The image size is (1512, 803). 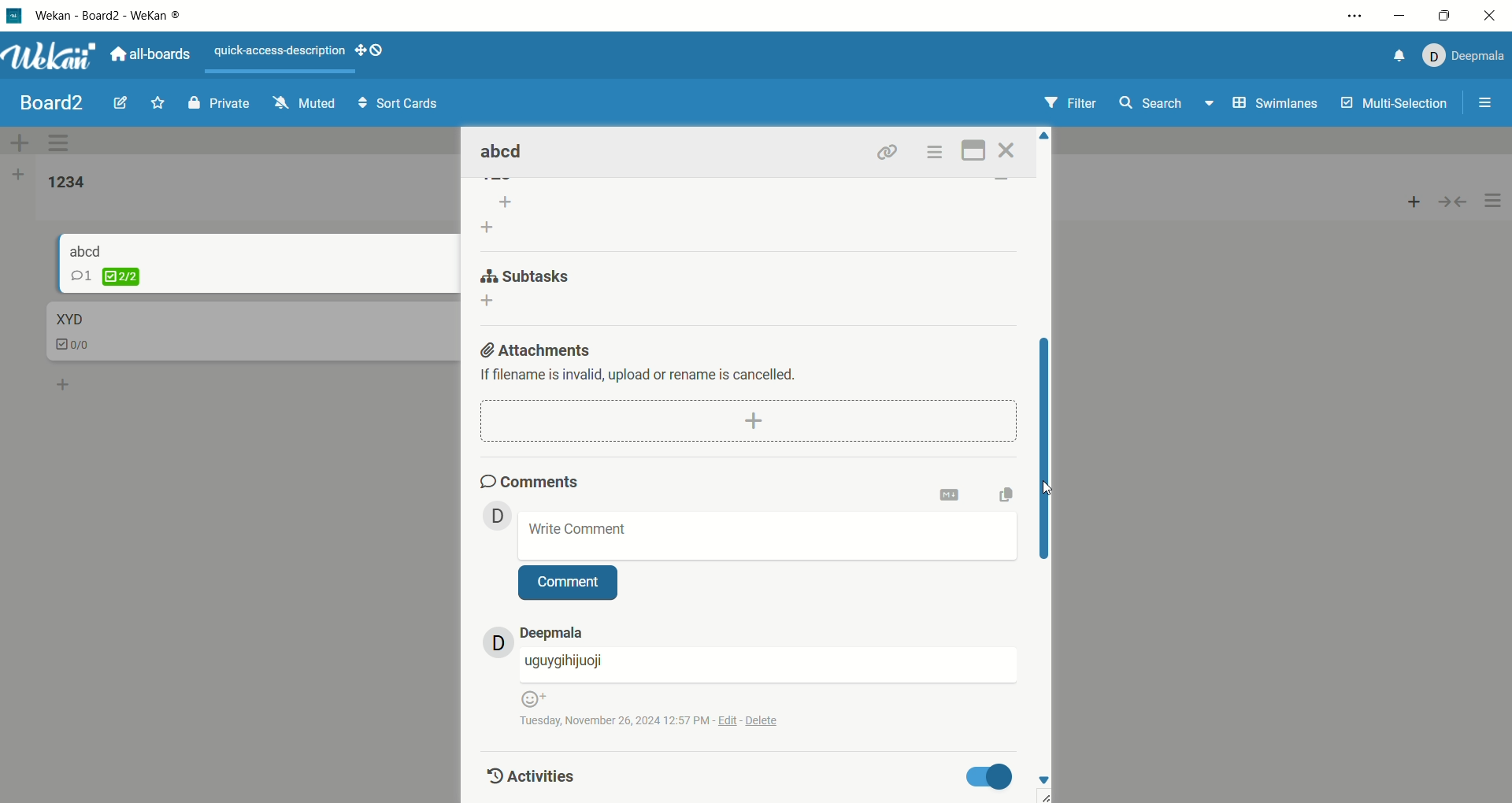 What do you see at coordinates (1400, 17) in the screenshot?
I see `minimize` at bounding box center [1400, 17].